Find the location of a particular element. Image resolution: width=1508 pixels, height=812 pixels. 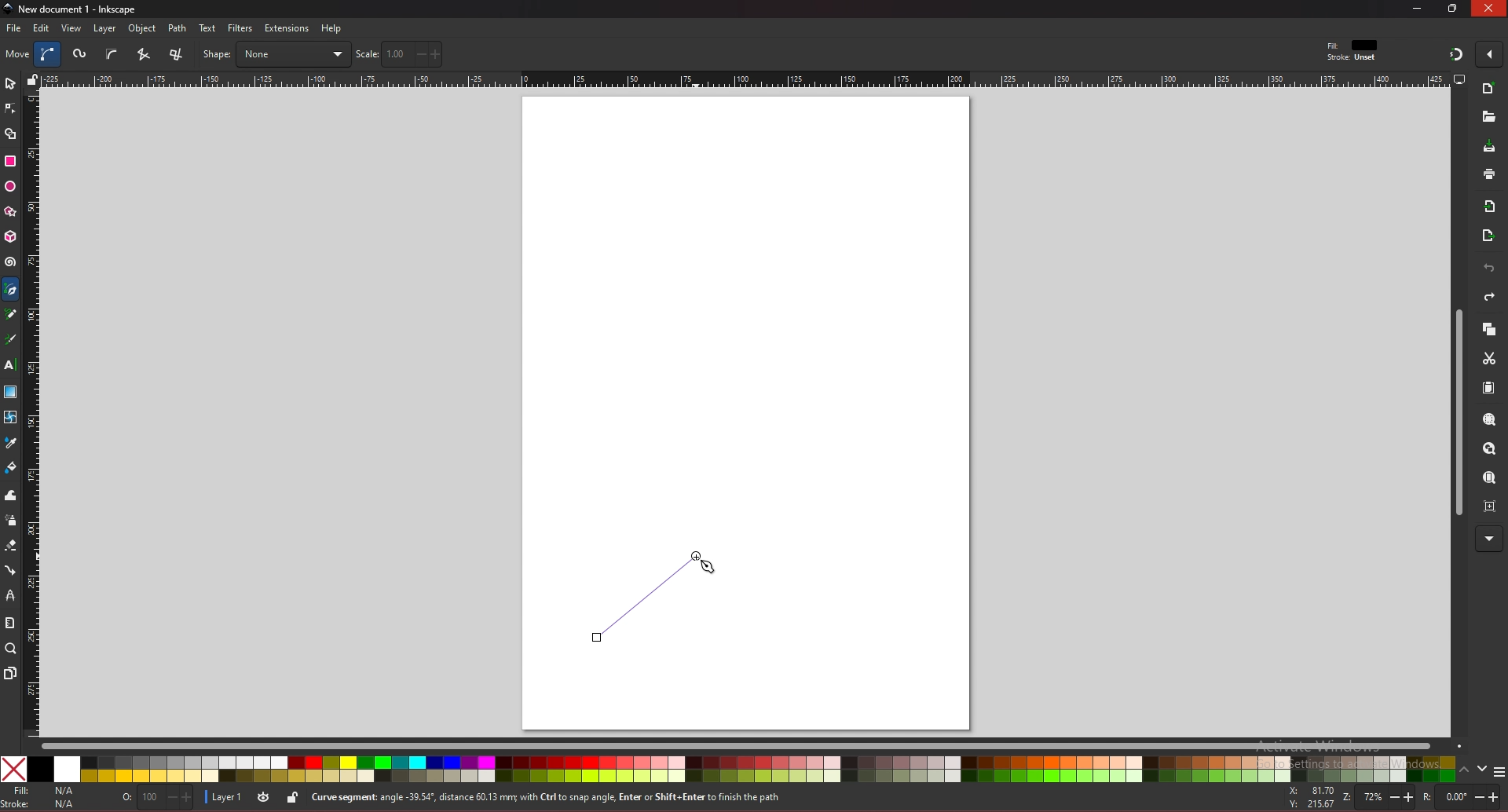

toggle visibility is located at coordinates (263, 798).